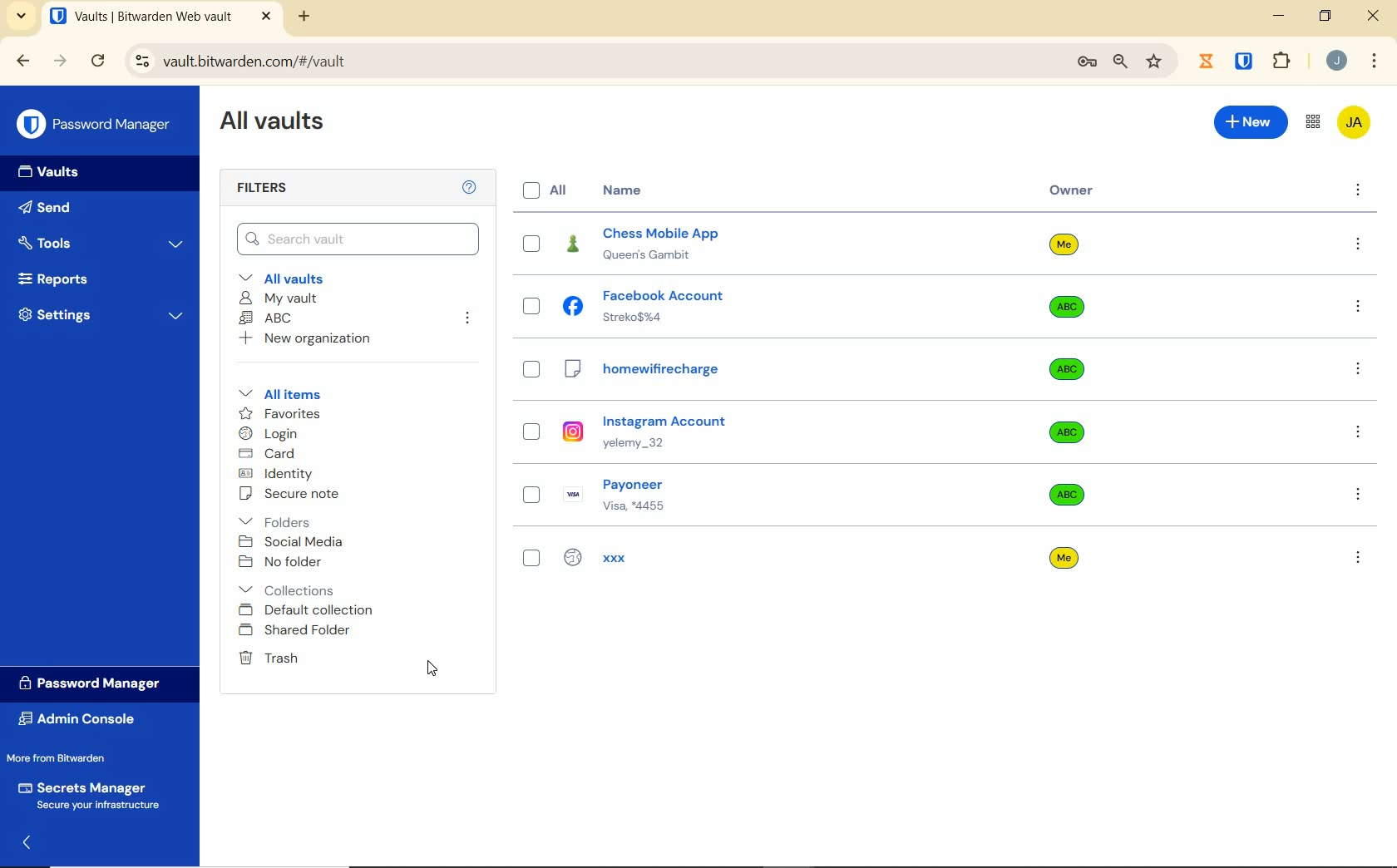 This screenshot has width=1397, height=868. What do you see at coordinates (763, 496) in the screenshot?
I see `payoneer` at bounding box center [763, 496].